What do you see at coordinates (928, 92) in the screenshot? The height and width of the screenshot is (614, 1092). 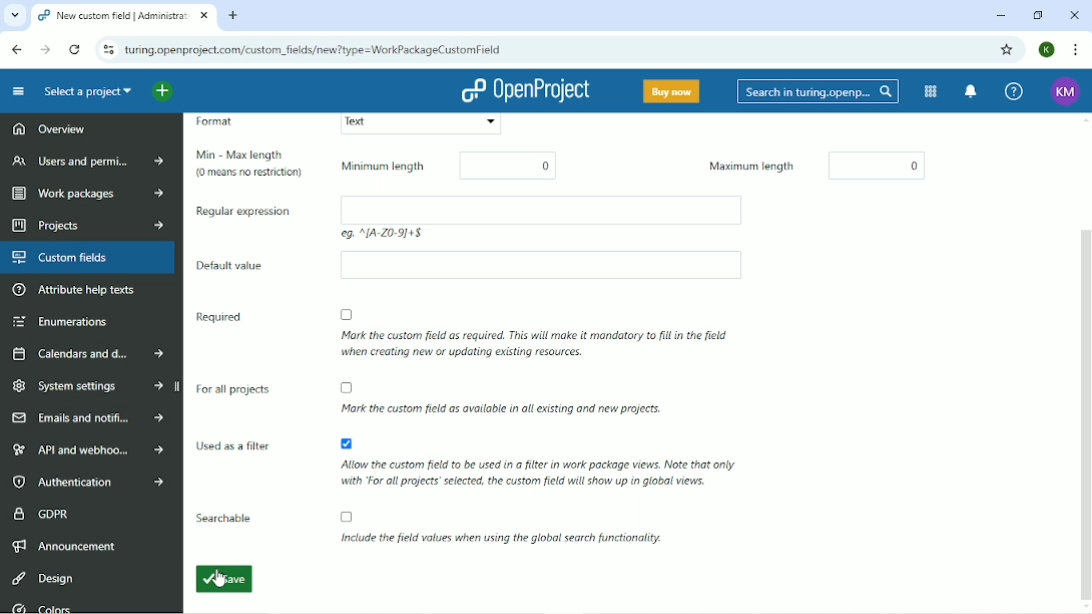 I see `Modules` at bounding box center [928, 92].